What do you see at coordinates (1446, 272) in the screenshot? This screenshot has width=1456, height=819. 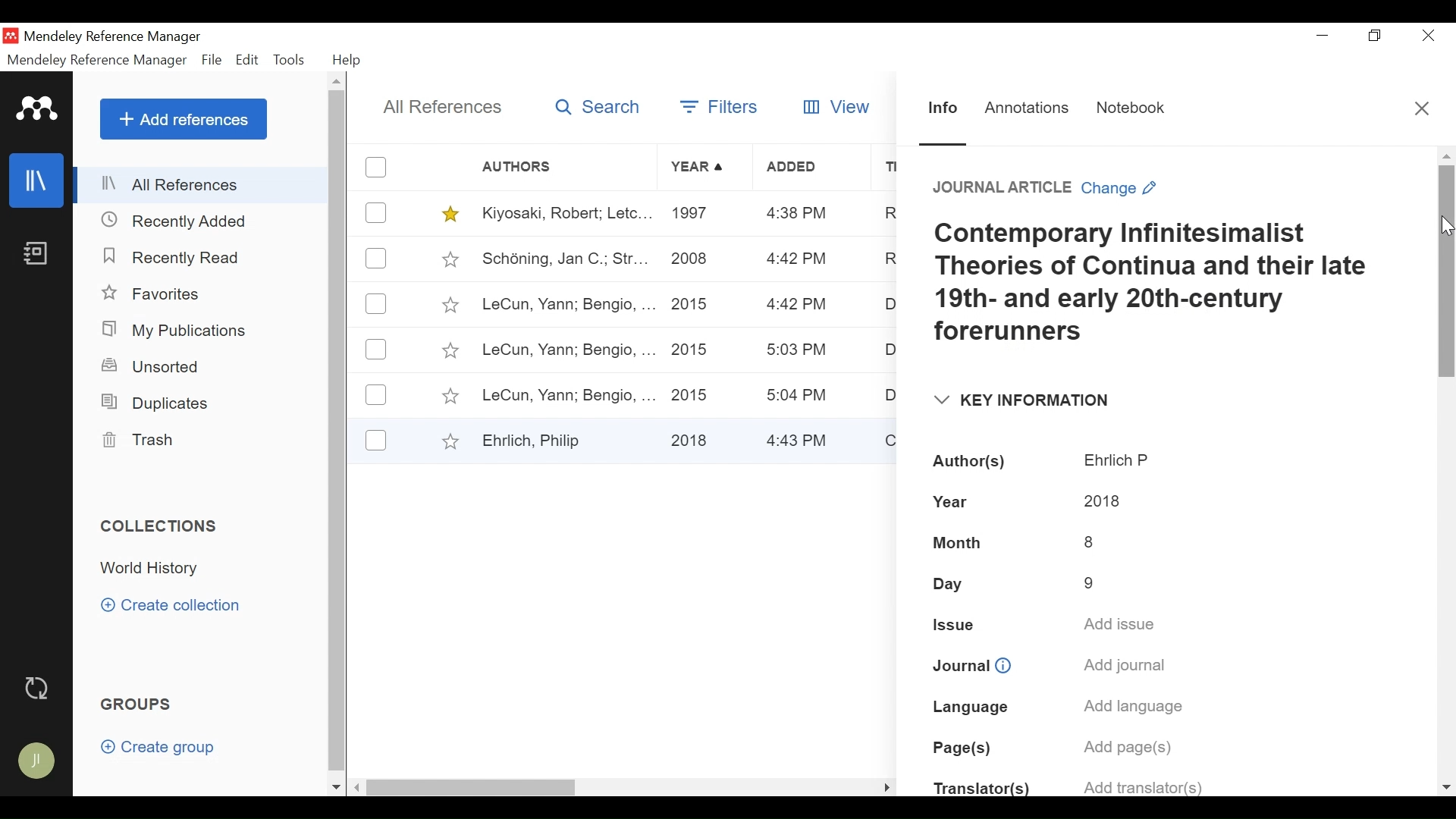 I see `Vertical Scroll bar` at bounding box center [1446, 272].